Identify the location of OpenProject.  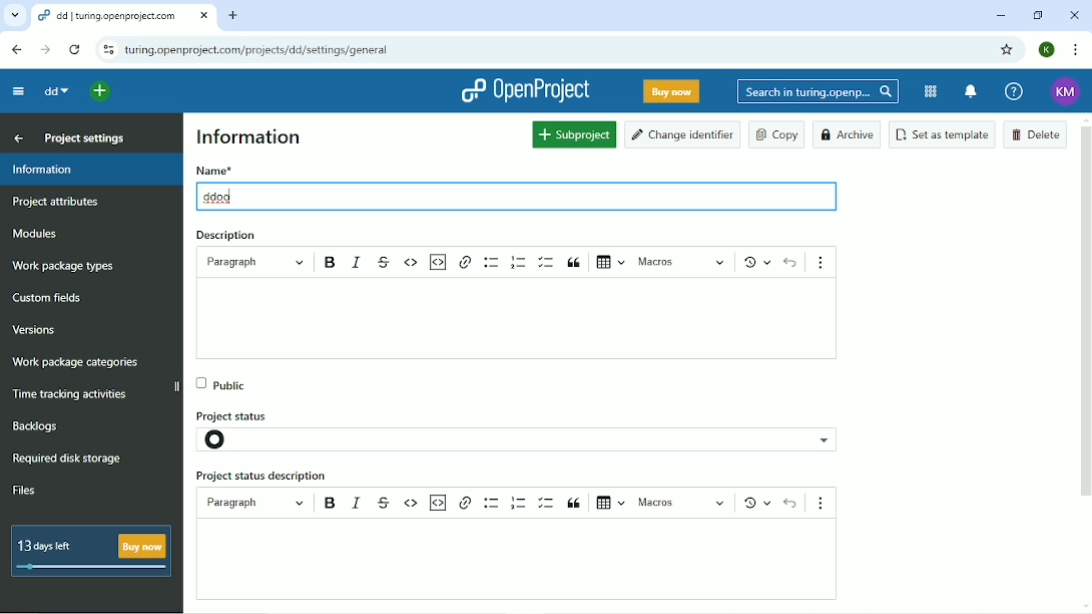
(526, 89).